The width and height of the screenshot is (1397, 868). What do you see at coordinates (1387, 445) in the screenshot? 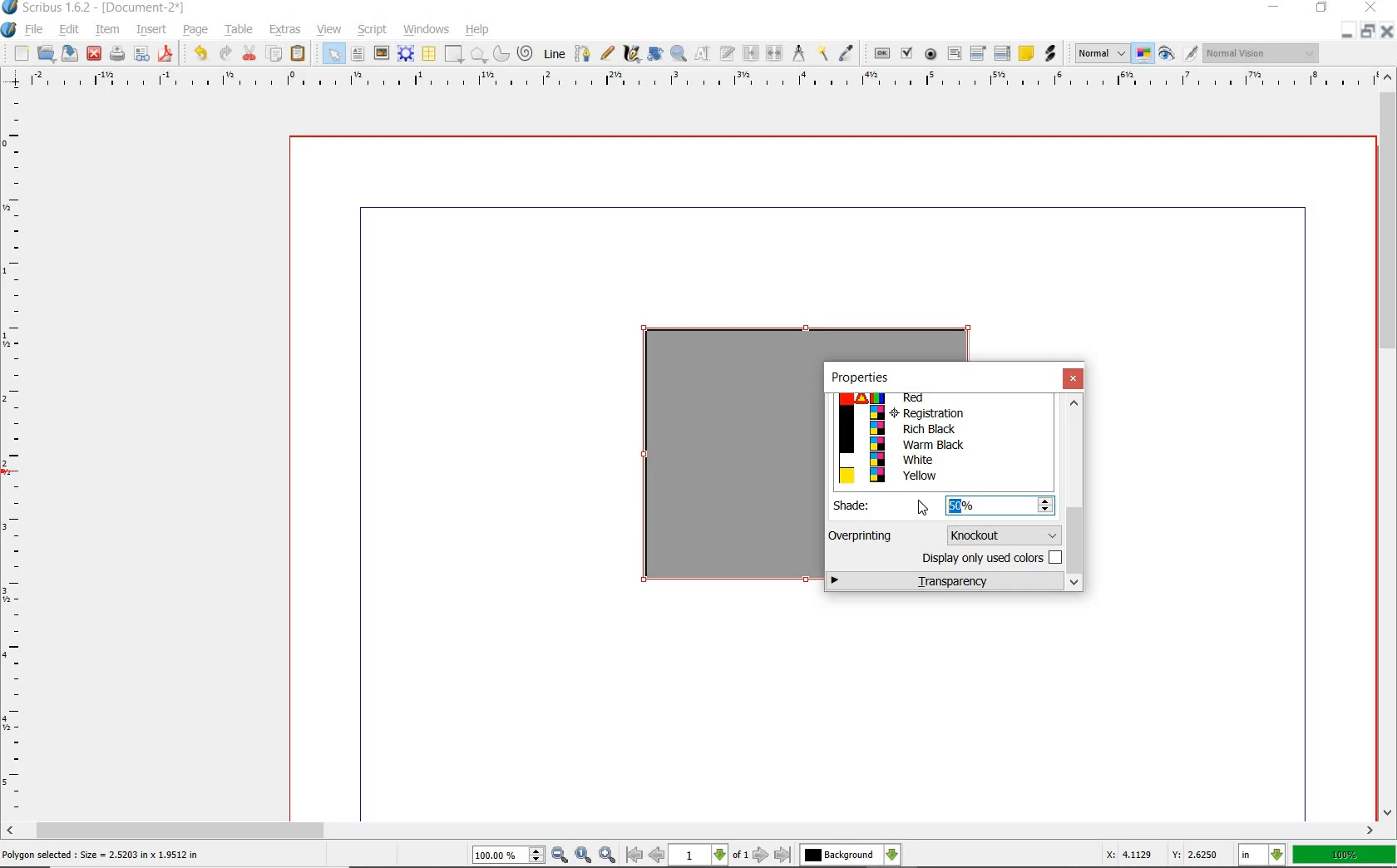
I see `scrollbar` at bounding box center [1387, 445].